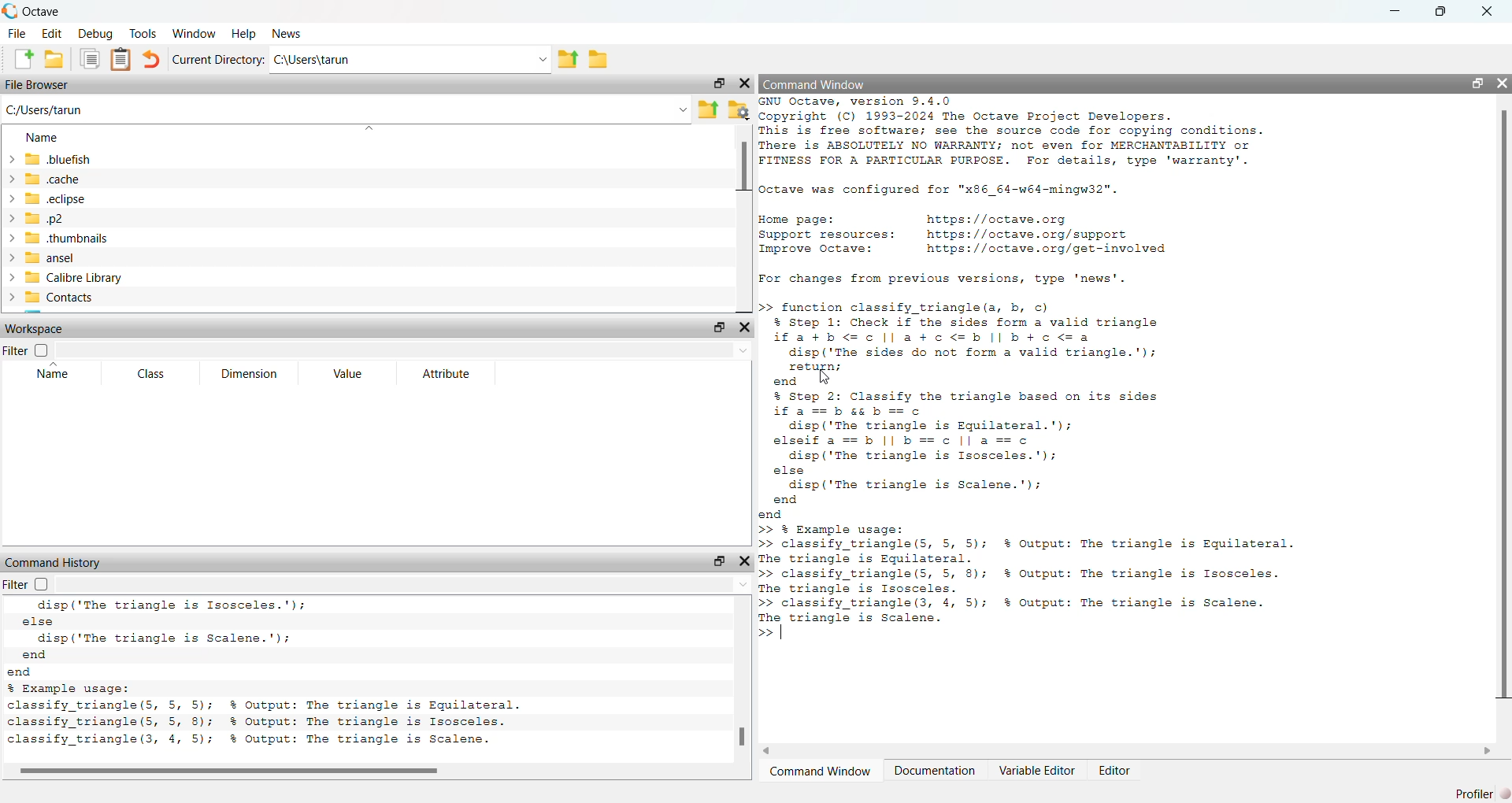 The height and width of the screenshot is (803, 1512). I want to click on unlock widget, so click(718, 327).